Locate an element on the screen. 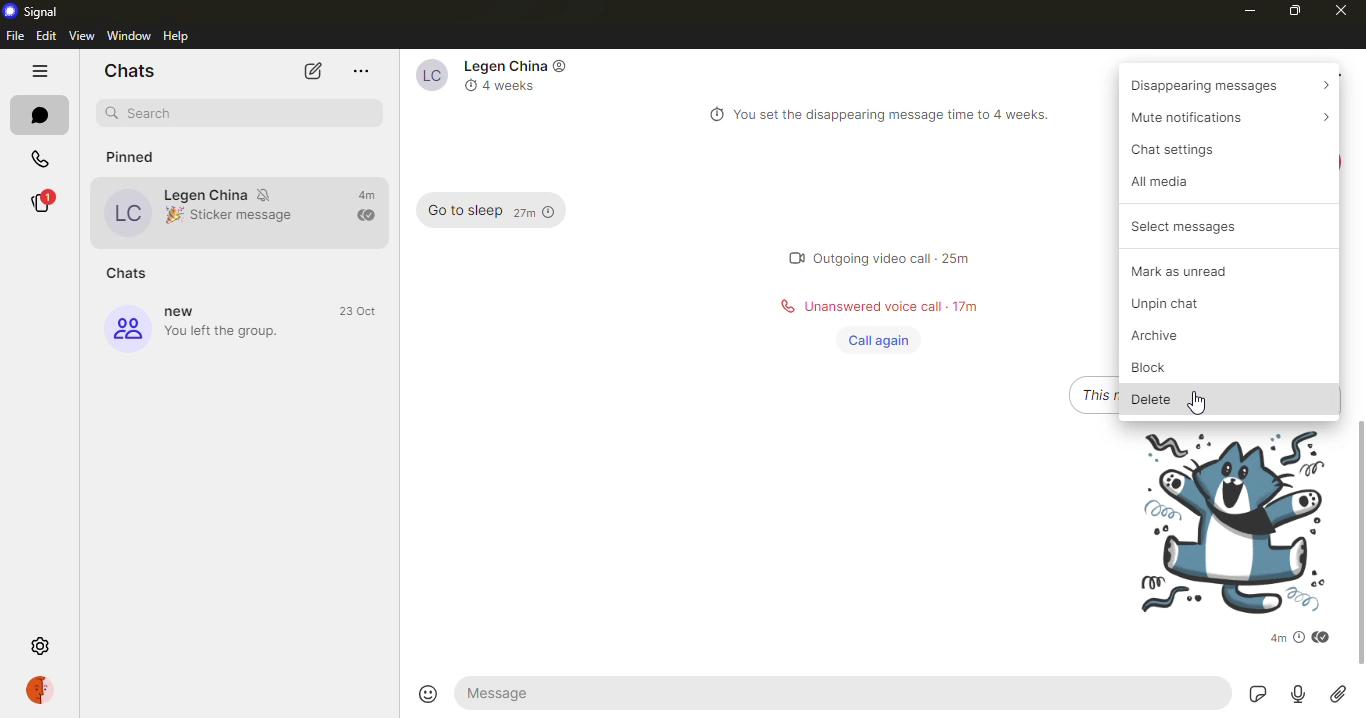 The height and width of the screenshot is (718, 1366). emoji is located at coordinates (172, 216).